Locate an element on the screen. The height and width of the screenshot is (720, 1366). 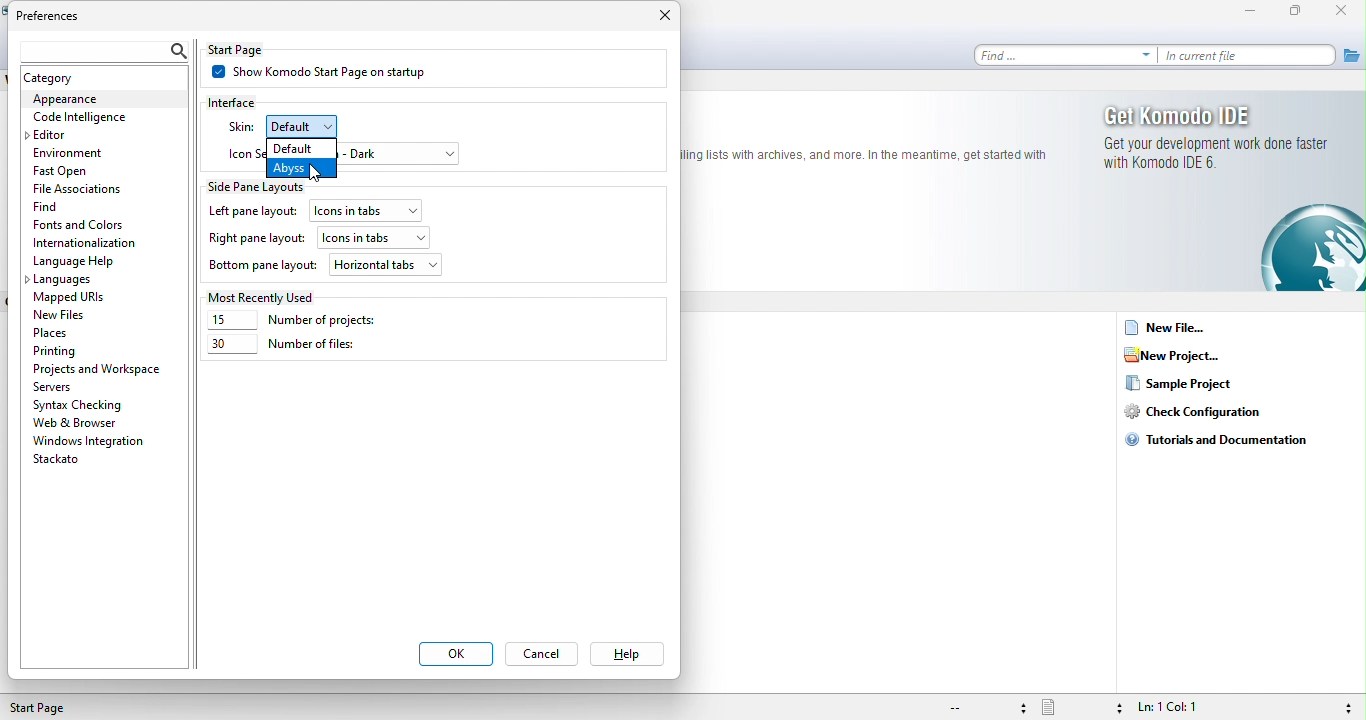
cursor movement is located at coordinates (315, 173).